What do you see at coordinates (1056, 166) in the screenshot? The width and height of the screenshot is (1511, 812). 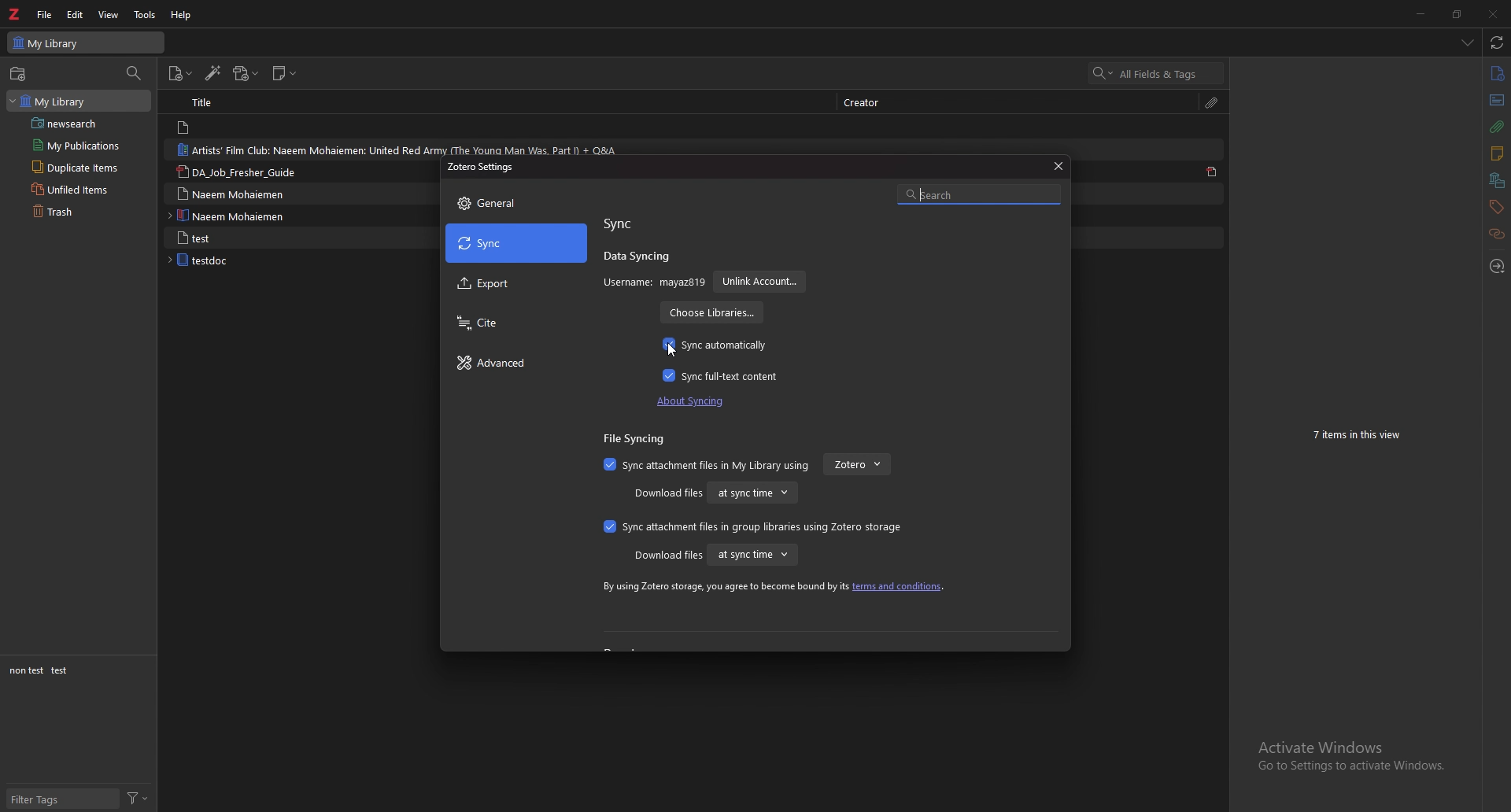 I see `close` at bounding box center [1056, 166].